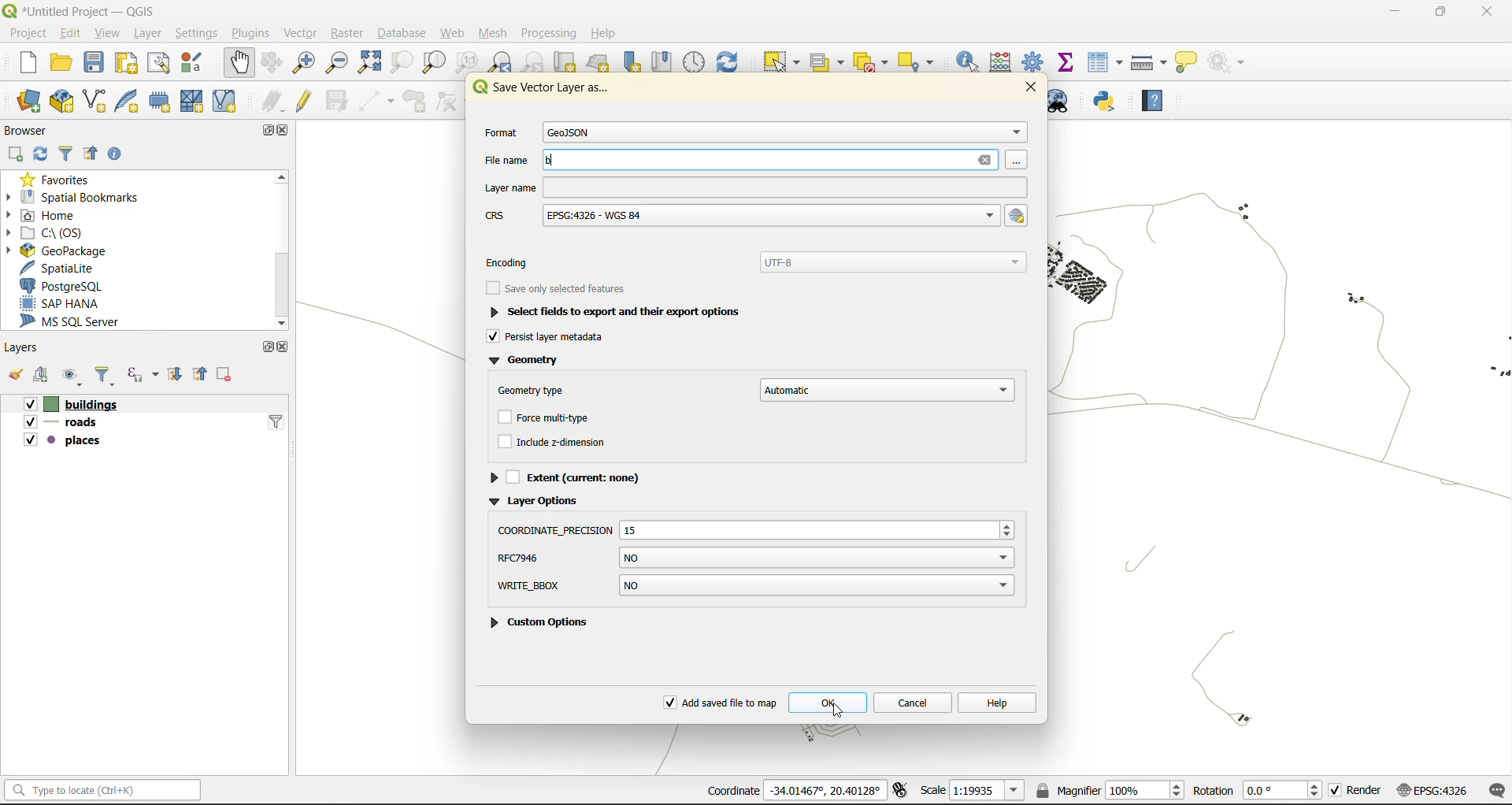 The width and height of the screenshot is (1512, 805). Describe the element at coordinates (450, 101) in the screenshot. I see `vertex tools` at that location.